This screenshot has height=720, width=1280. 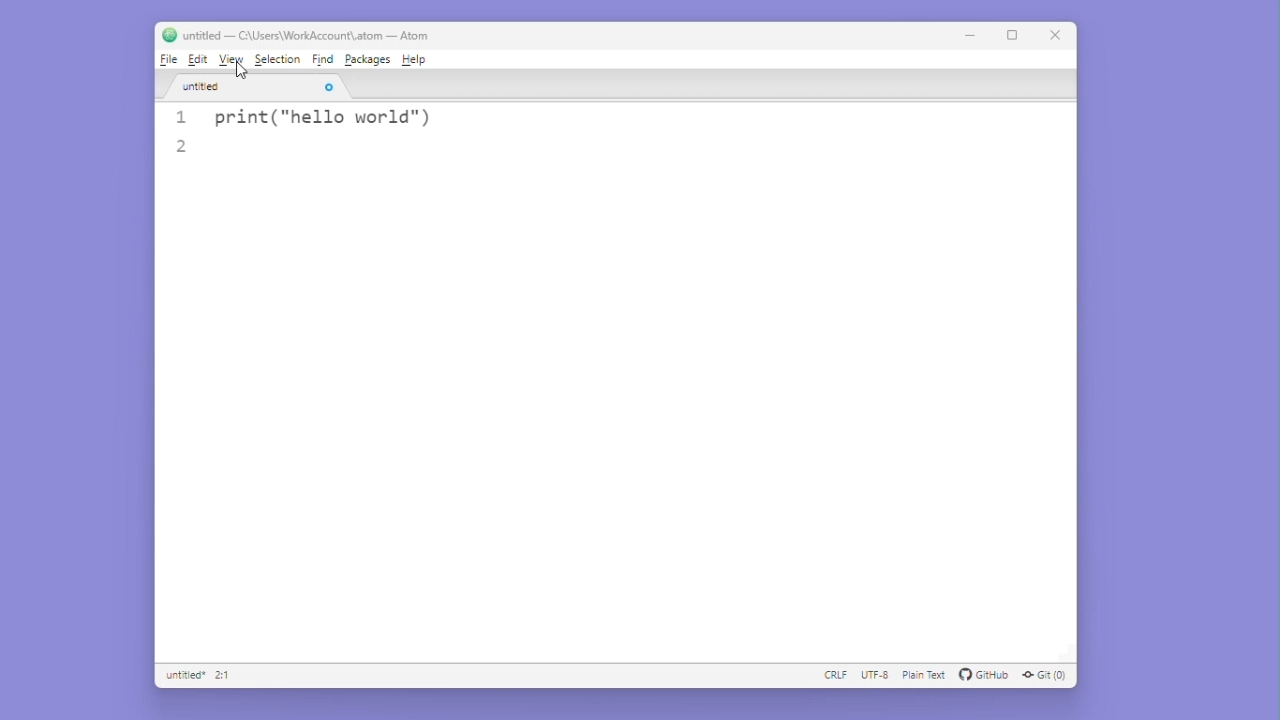 What do you see at coordinates (250, 84) in the screenshot?
I see `untitled` at bounding box center [250, 84].